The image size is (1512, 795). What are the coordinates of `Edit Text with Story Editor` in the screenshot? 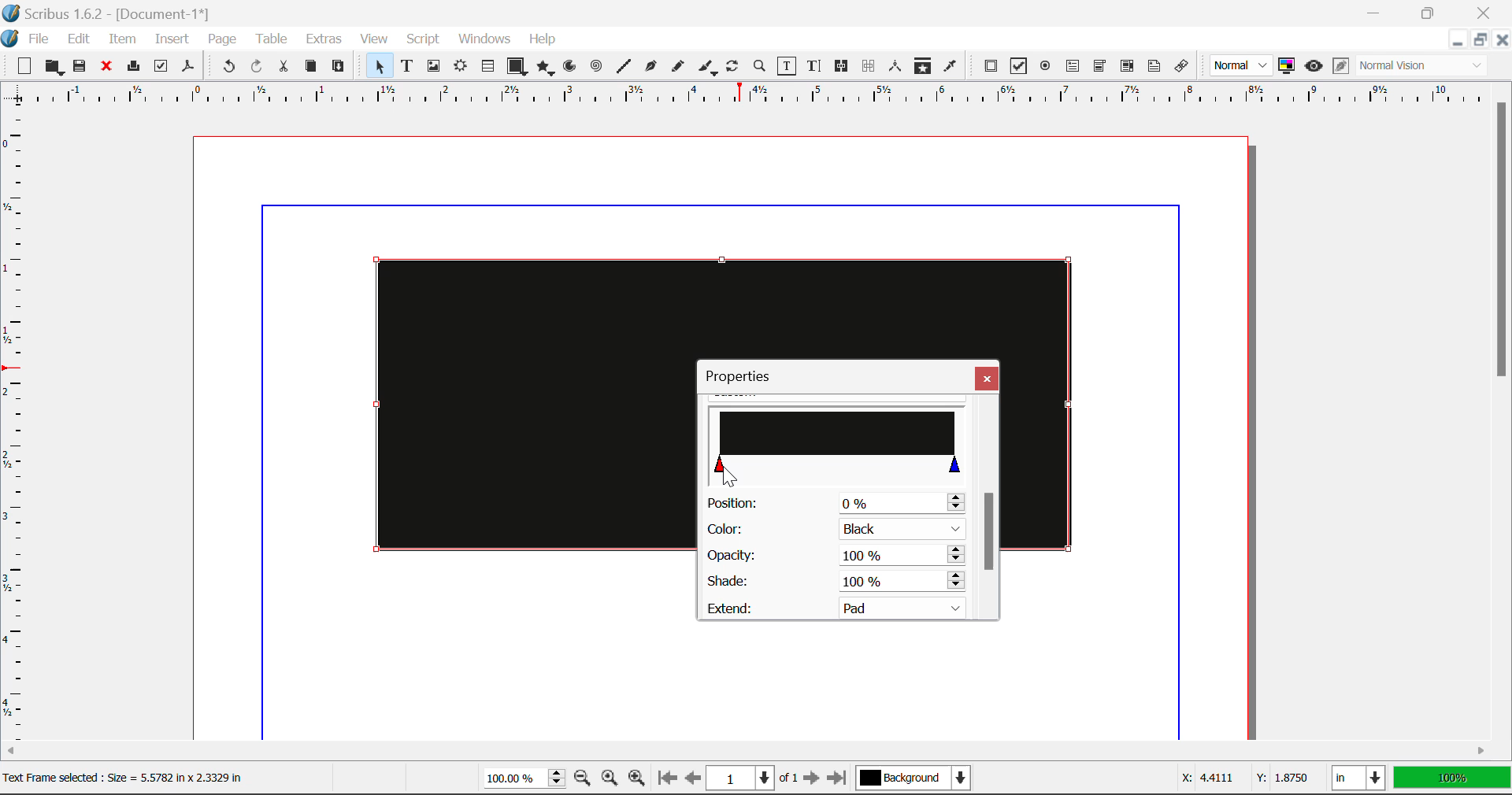 It's located at (817, 66).